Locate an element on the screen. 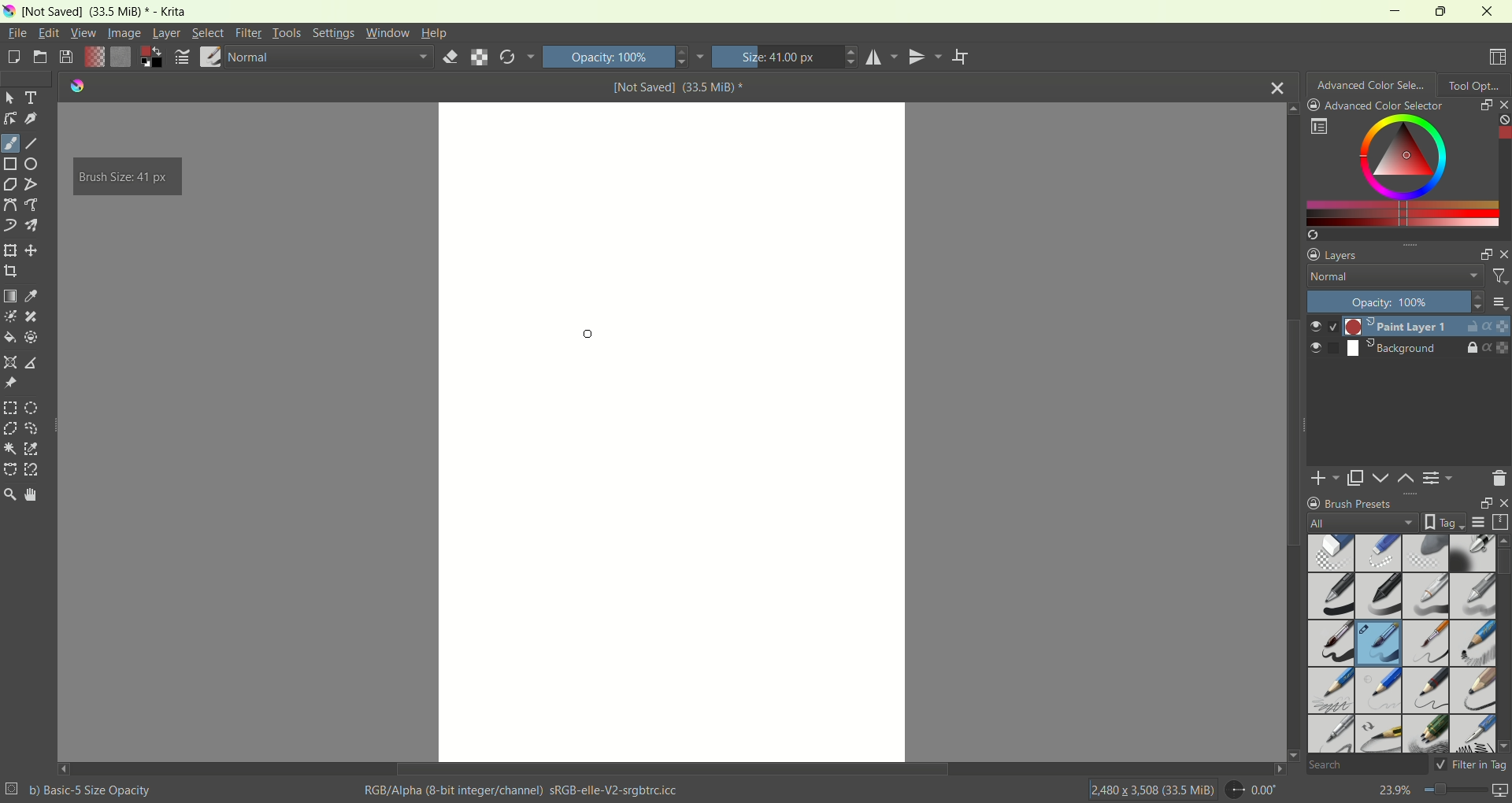  smart patch is located at coordinates (31, 317).